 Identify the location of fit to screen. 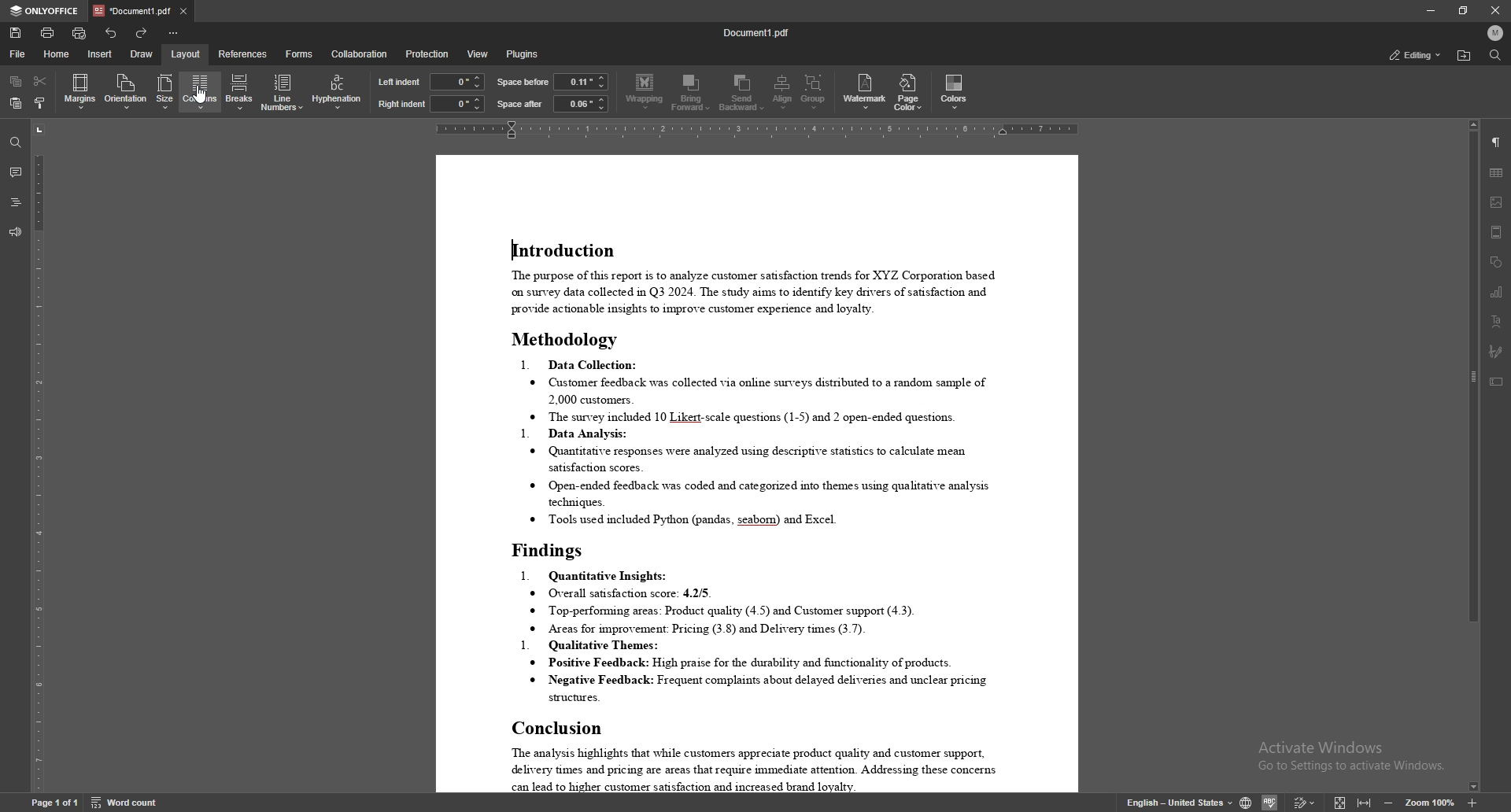
(1339, 802).